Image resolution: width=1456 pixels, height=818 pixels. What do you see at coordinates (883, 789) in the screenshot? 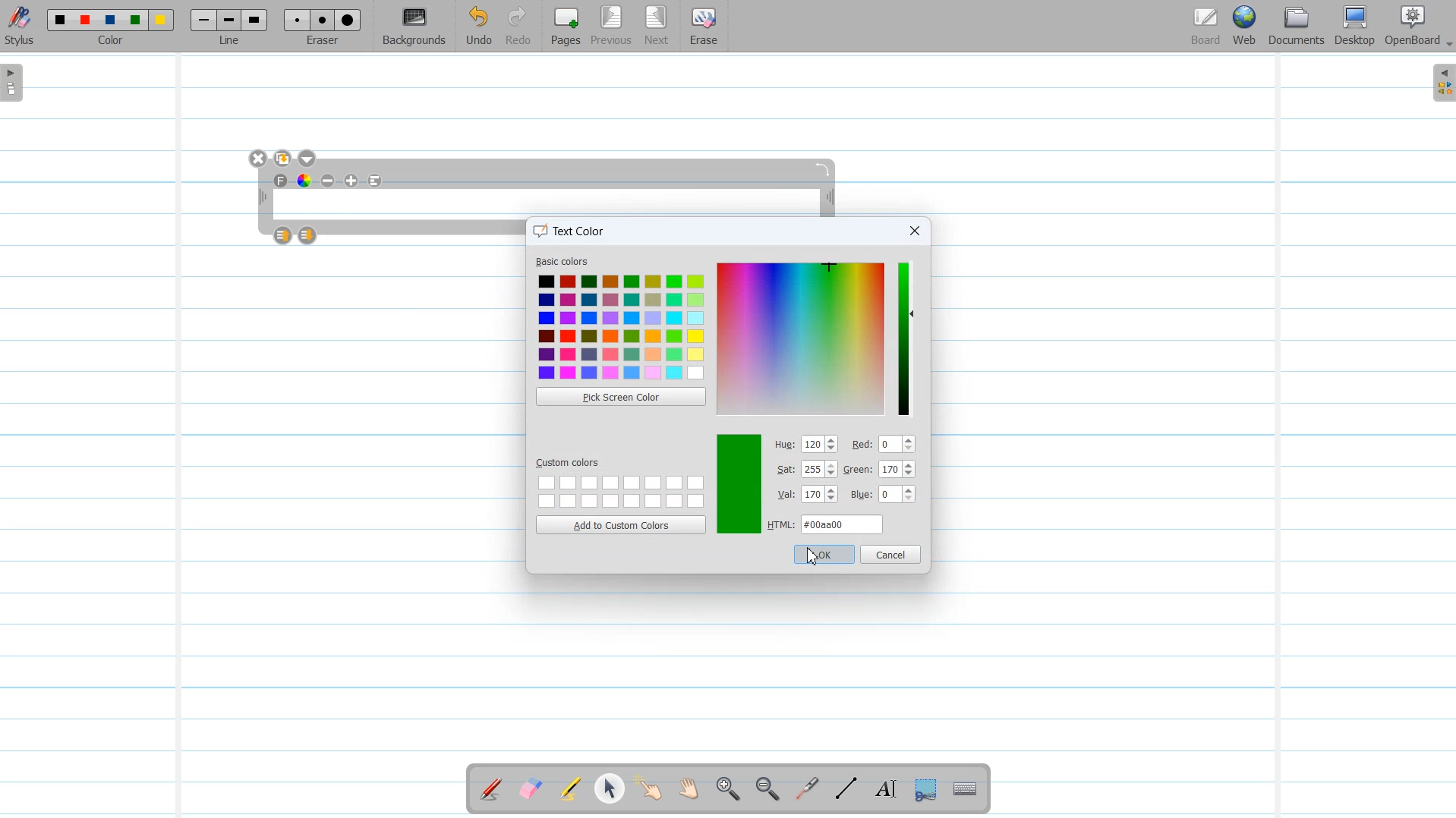
I see `Text Tool` at bounding box center [883, 789].